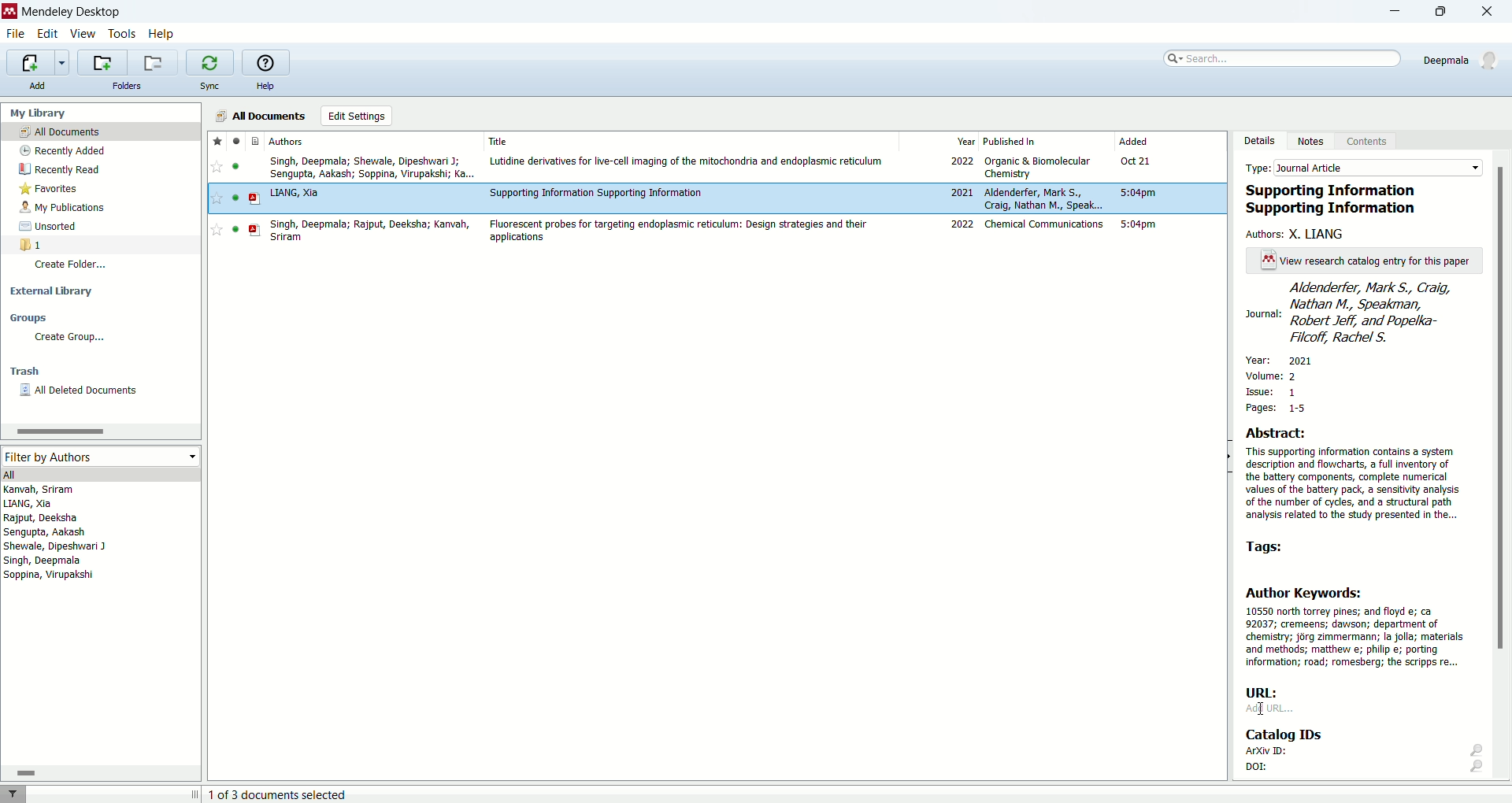  What do you see at coordinates (209, 62) in the screenshot?
I see `synchronize library with mendeley web` at bounding box center [209, 62].